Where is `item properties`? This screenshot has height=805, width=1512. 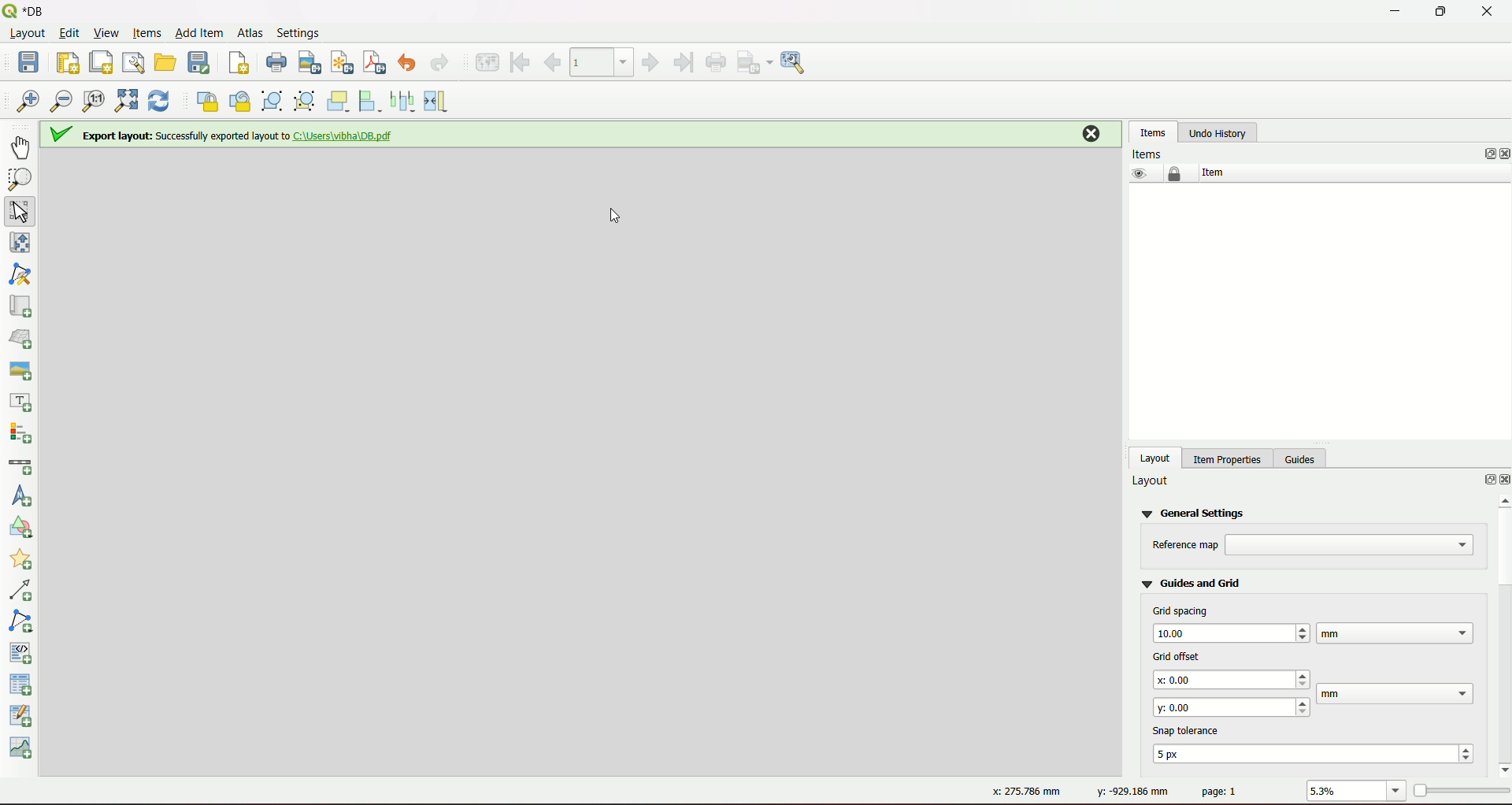 item properties is located at coordinates (1225, 457).